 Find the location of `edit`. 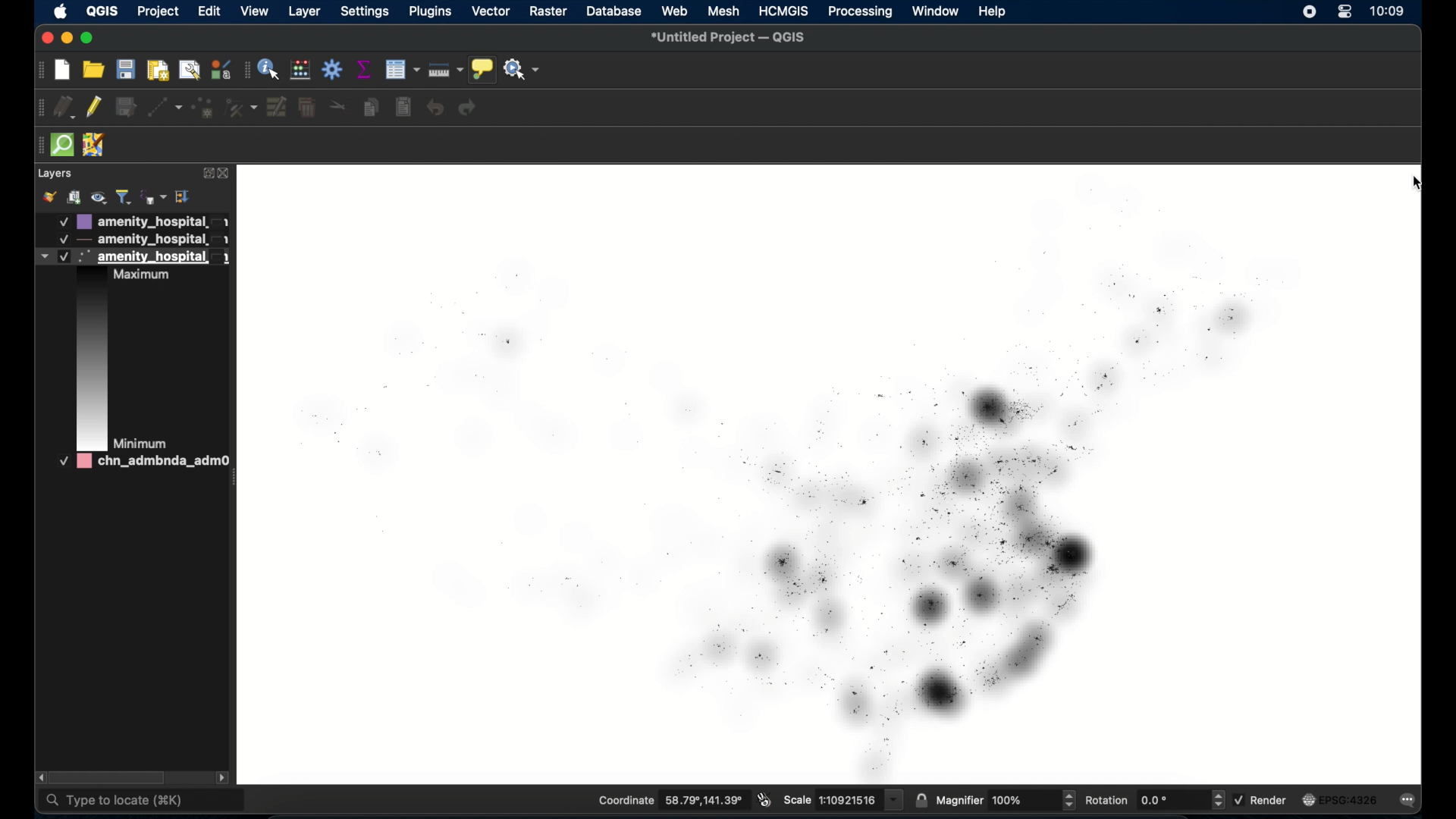

edit is located at coordinates (209, 11).